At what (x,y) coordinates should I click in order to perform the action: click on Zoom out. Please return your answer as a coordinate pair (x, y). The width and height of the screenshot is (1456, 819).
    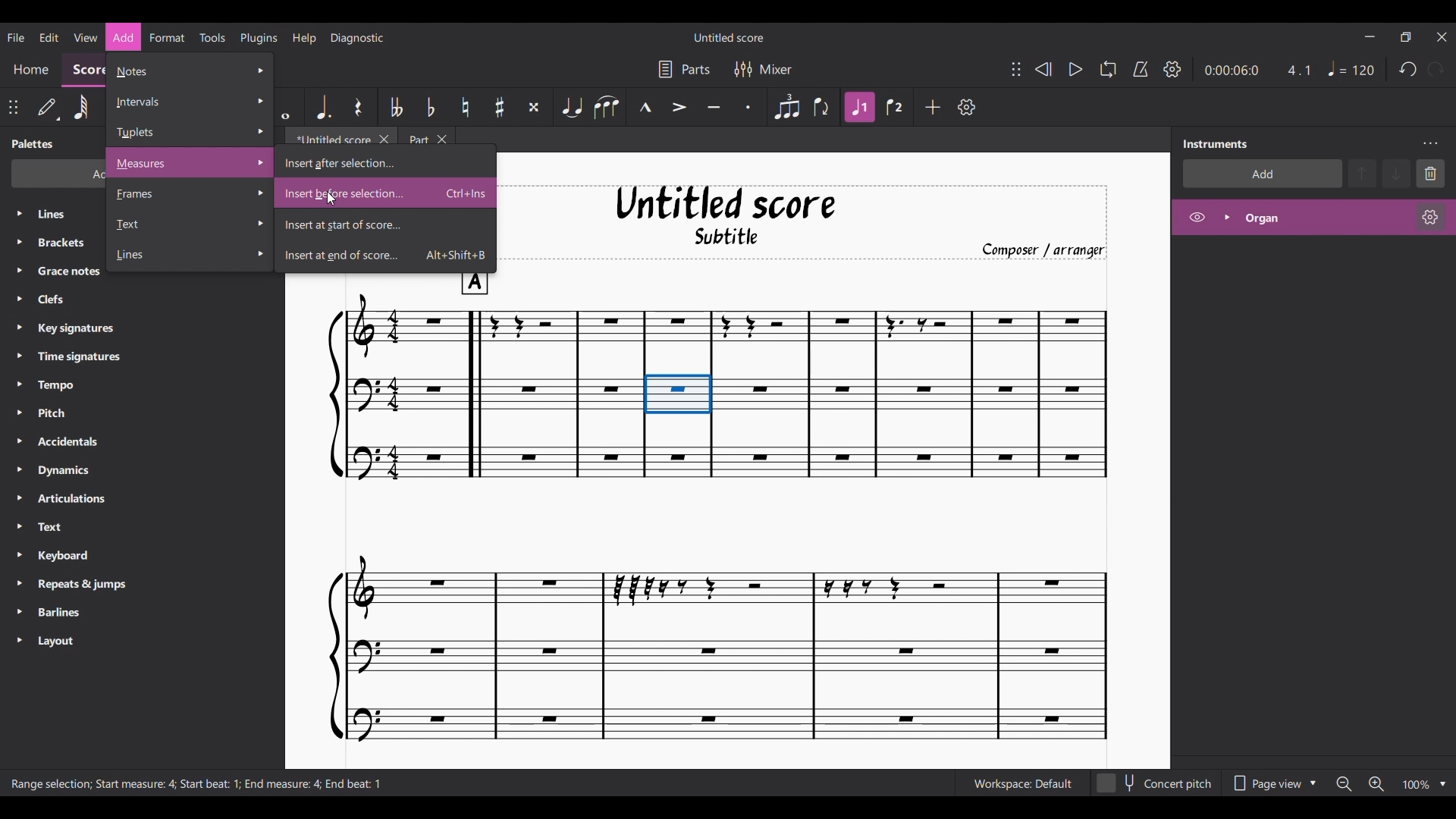
    Looking at the image, I should click on (1344, 784).